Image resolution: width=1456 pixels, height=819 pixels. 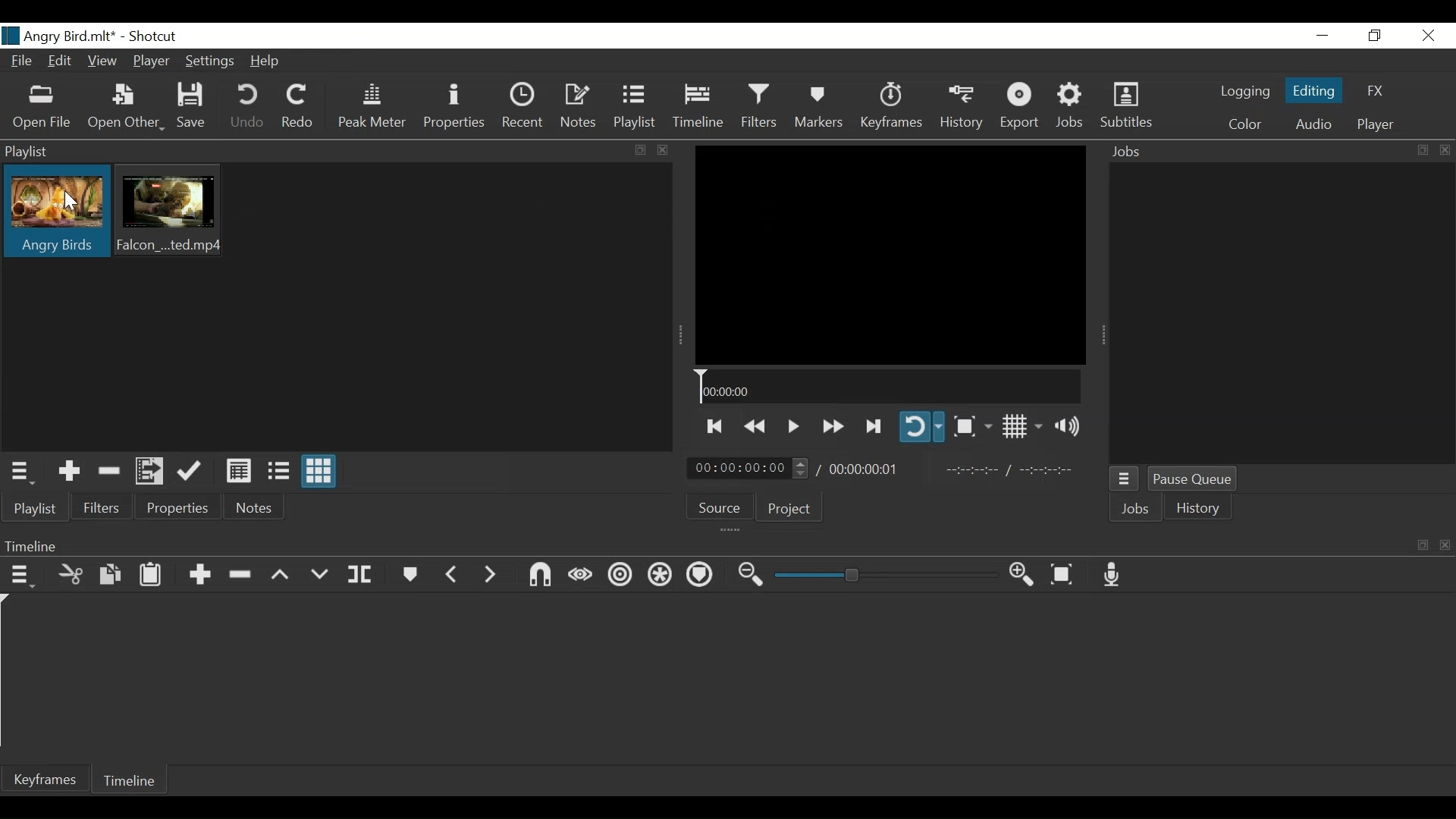 I want to click on Snap, so click(x=538, y=576).